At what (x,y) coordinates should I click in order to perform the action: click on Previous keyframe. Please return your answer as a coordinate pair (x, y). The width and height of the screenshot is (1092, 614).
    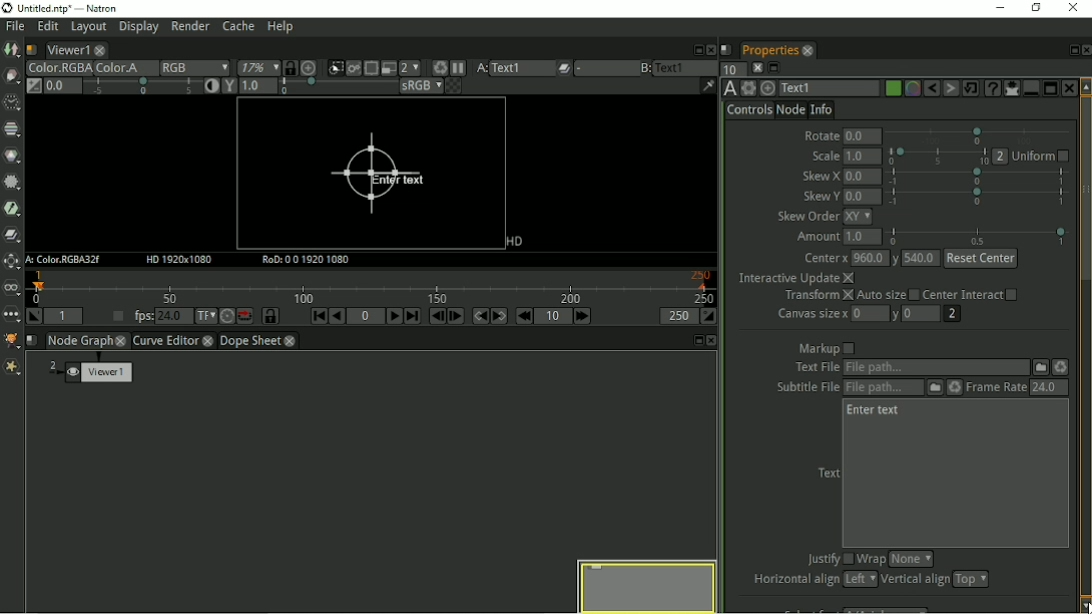
    Looking at the image, I should click on (479, 316).